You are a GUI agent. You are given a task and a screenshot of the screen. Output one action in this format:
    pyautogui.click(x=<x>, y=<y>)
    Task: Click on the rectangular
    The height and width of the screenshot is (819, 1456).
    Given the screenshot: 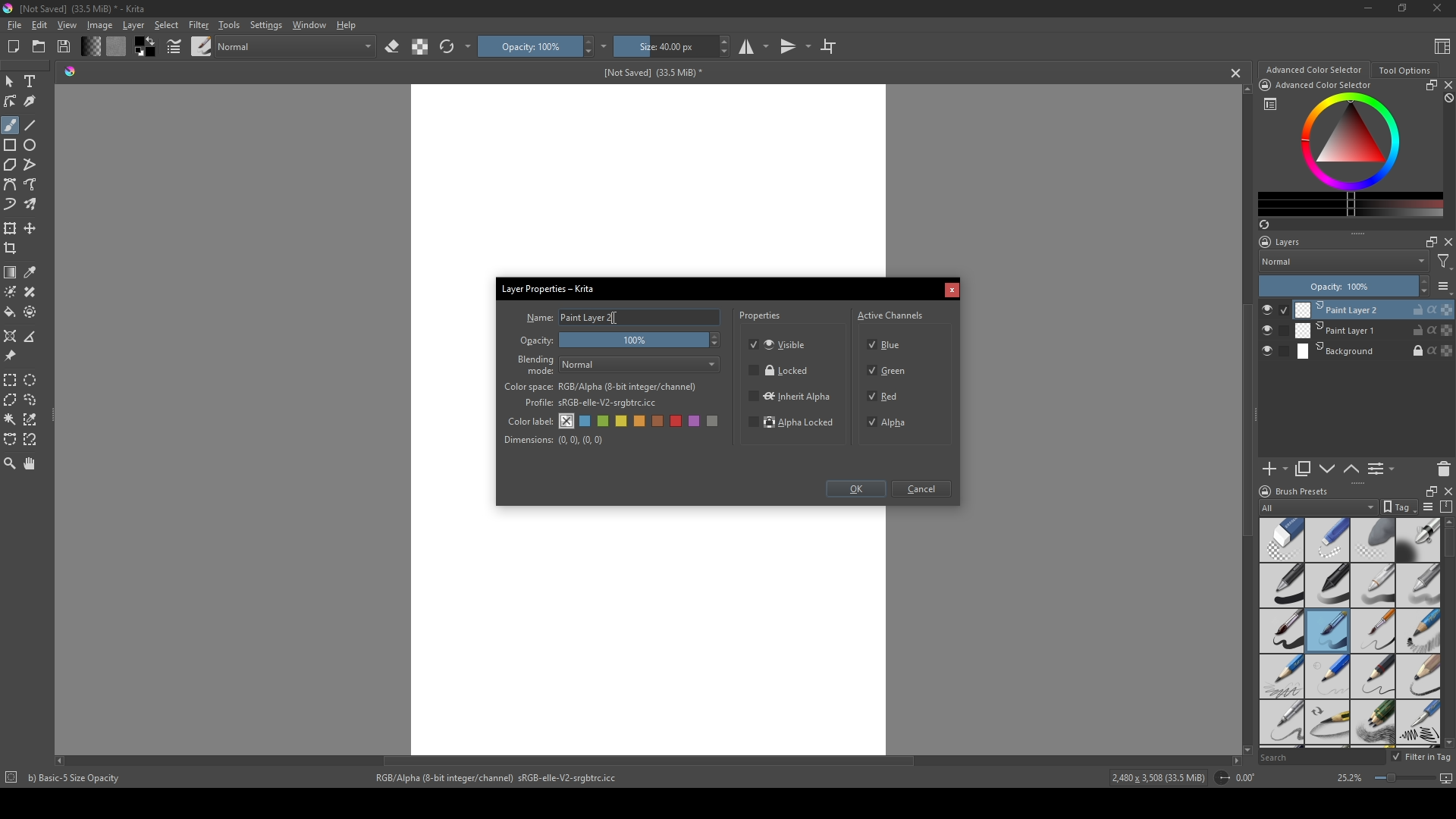 What is the action you would take?
    pyautogui.click(x=11, y=379)
    